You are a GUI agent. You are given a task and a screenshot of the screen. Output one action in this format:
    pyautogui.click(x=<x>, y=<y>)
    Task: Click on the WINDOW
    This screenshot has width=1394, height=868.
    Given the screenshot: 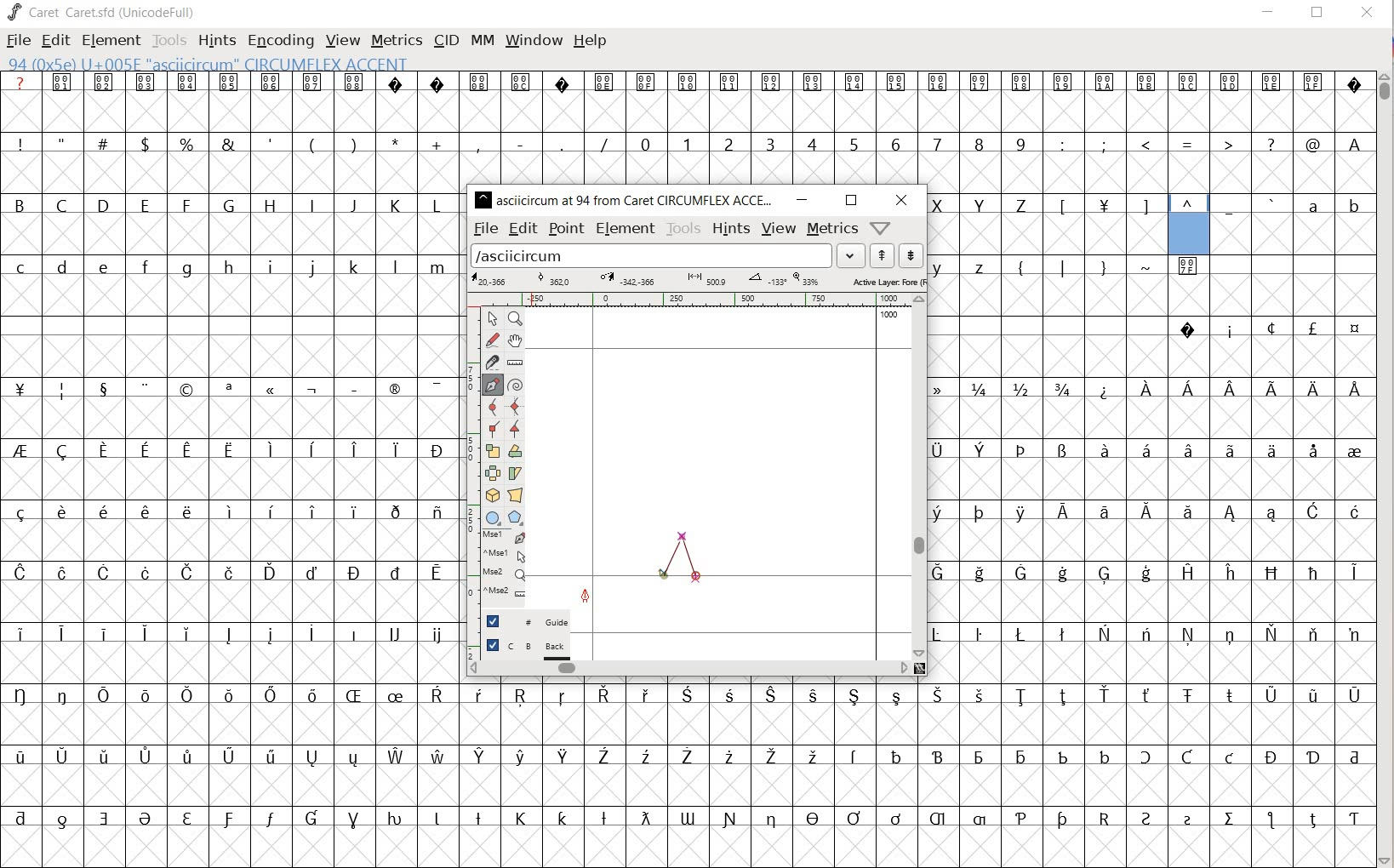 What is the action you would take?
    pyautogui.click(x=532, y=39)
    